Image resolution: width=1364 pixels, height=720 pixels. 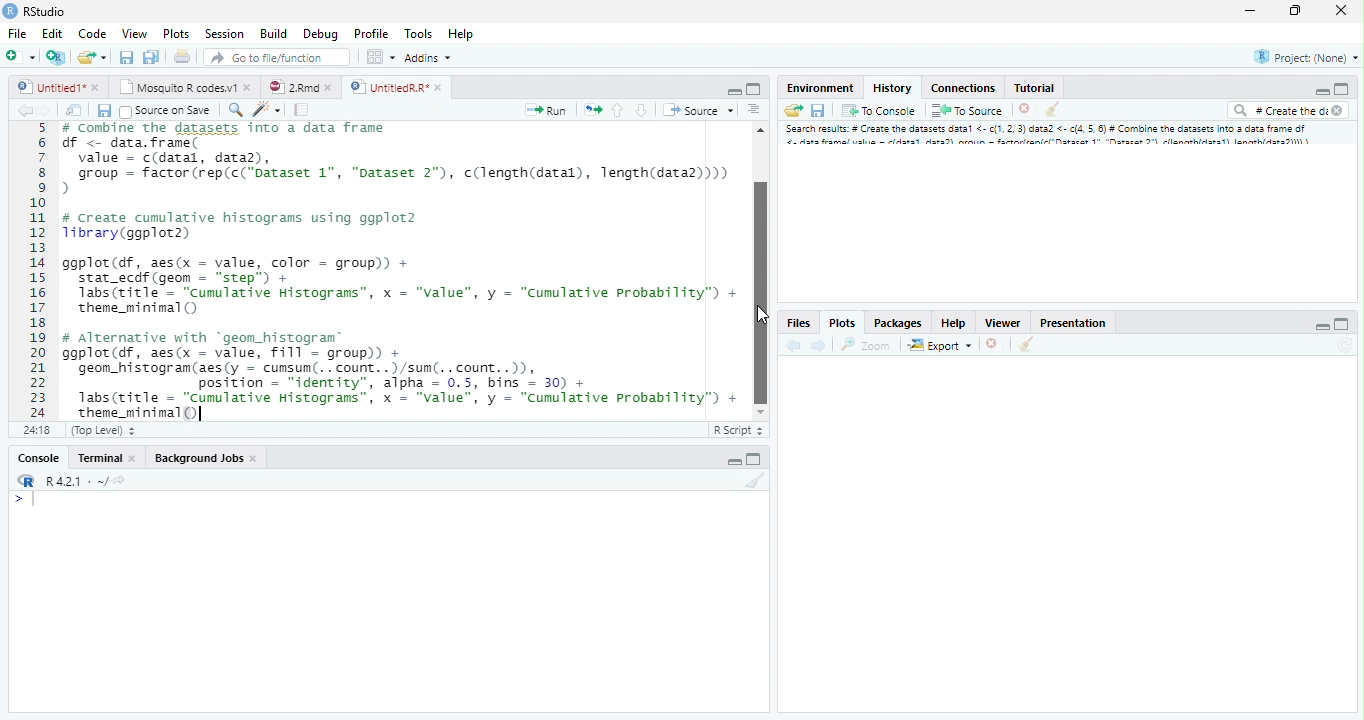 What do you see at coordinates (1286, 112) in the screenshot?
I see `# Create the di` at bounding box center [1286, 112].